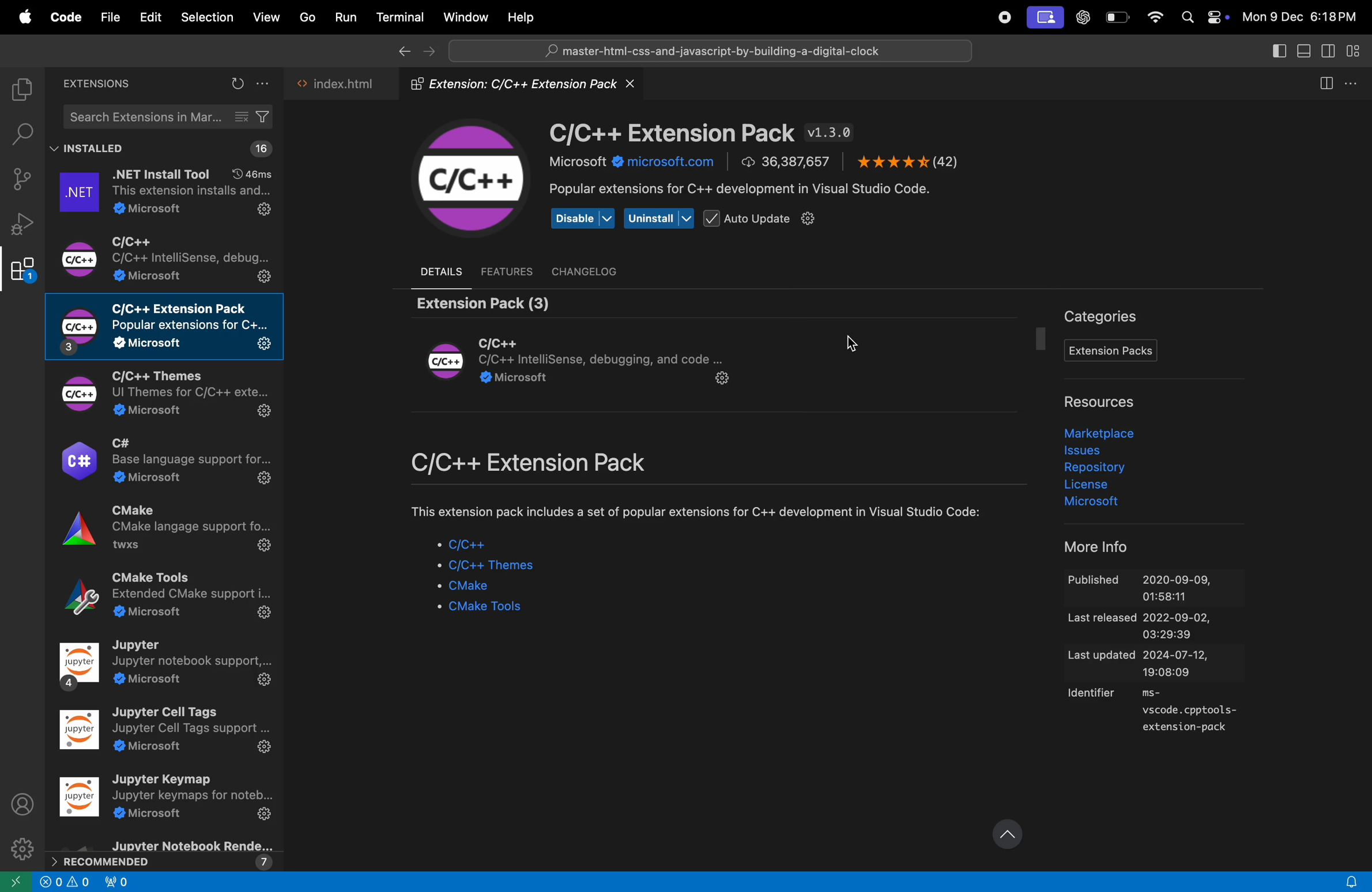 This screenshot has width=1372, height=892. What do you see at coordinates (308, 17) in the screenshot?
I see `Go` at bounding box center [308, 17].